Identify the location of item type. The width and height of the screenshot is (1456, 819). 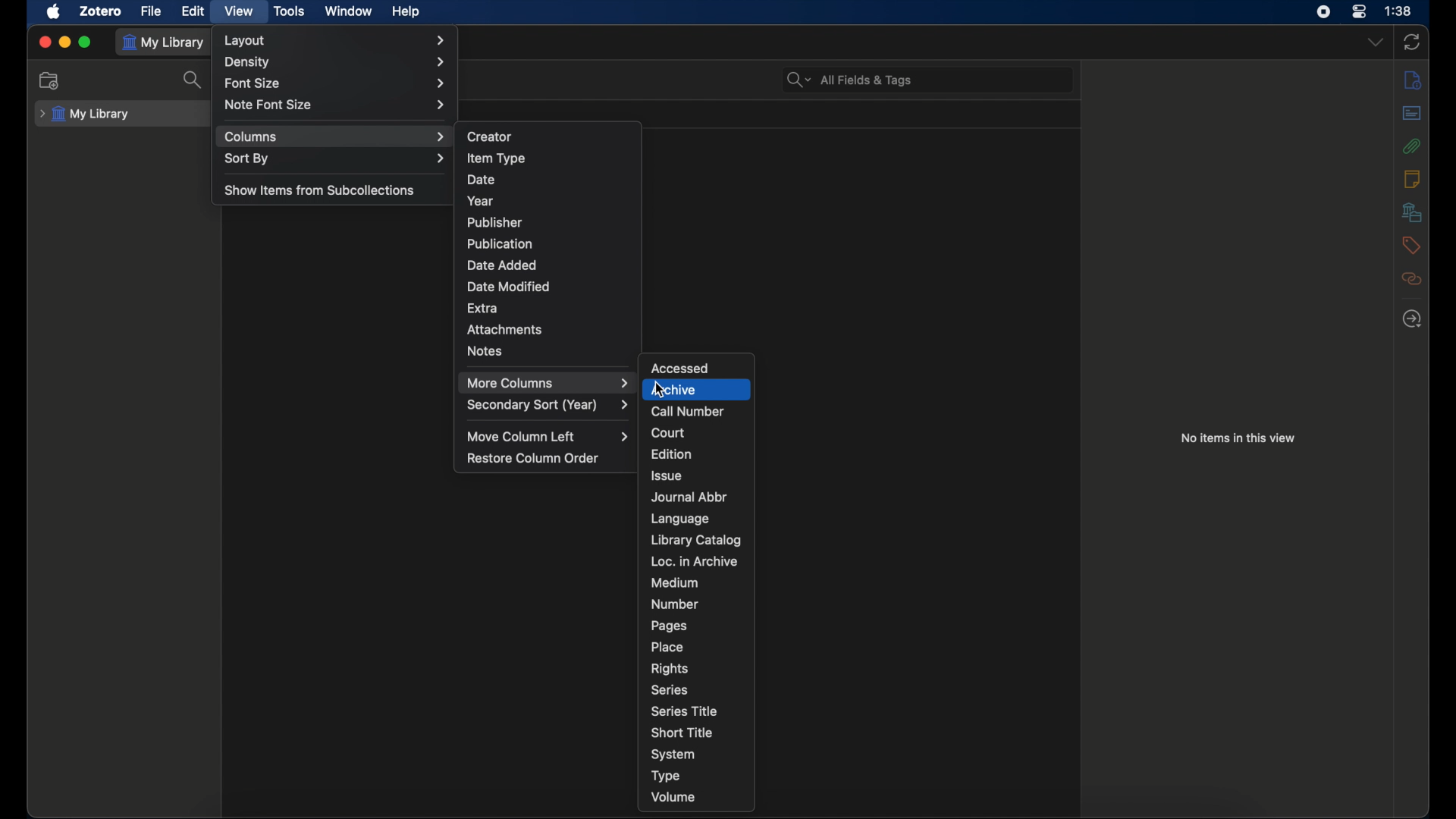
(496, 158).